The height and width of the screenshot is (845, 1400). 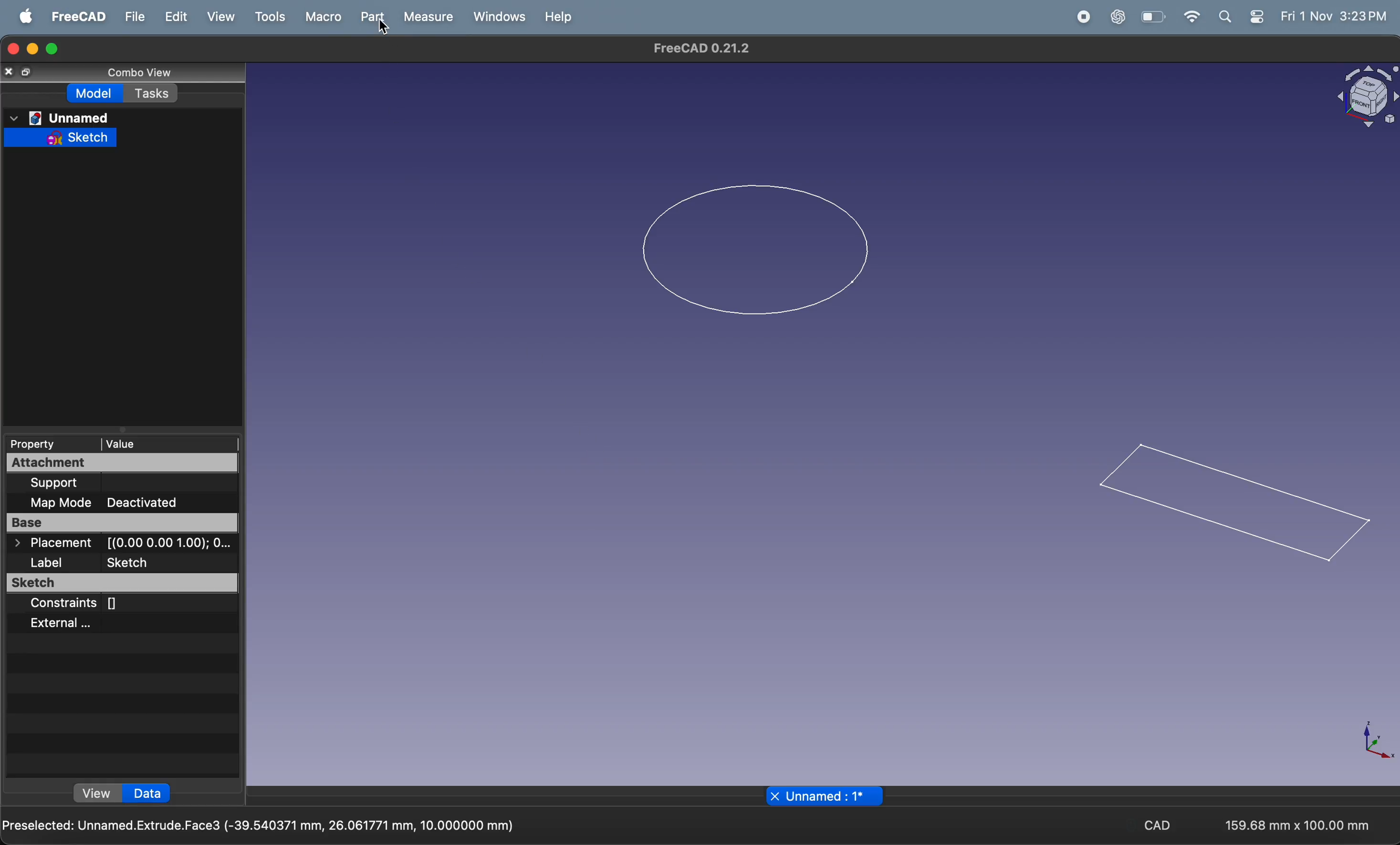 I want to click on maximize, so click(x=51, y=49).